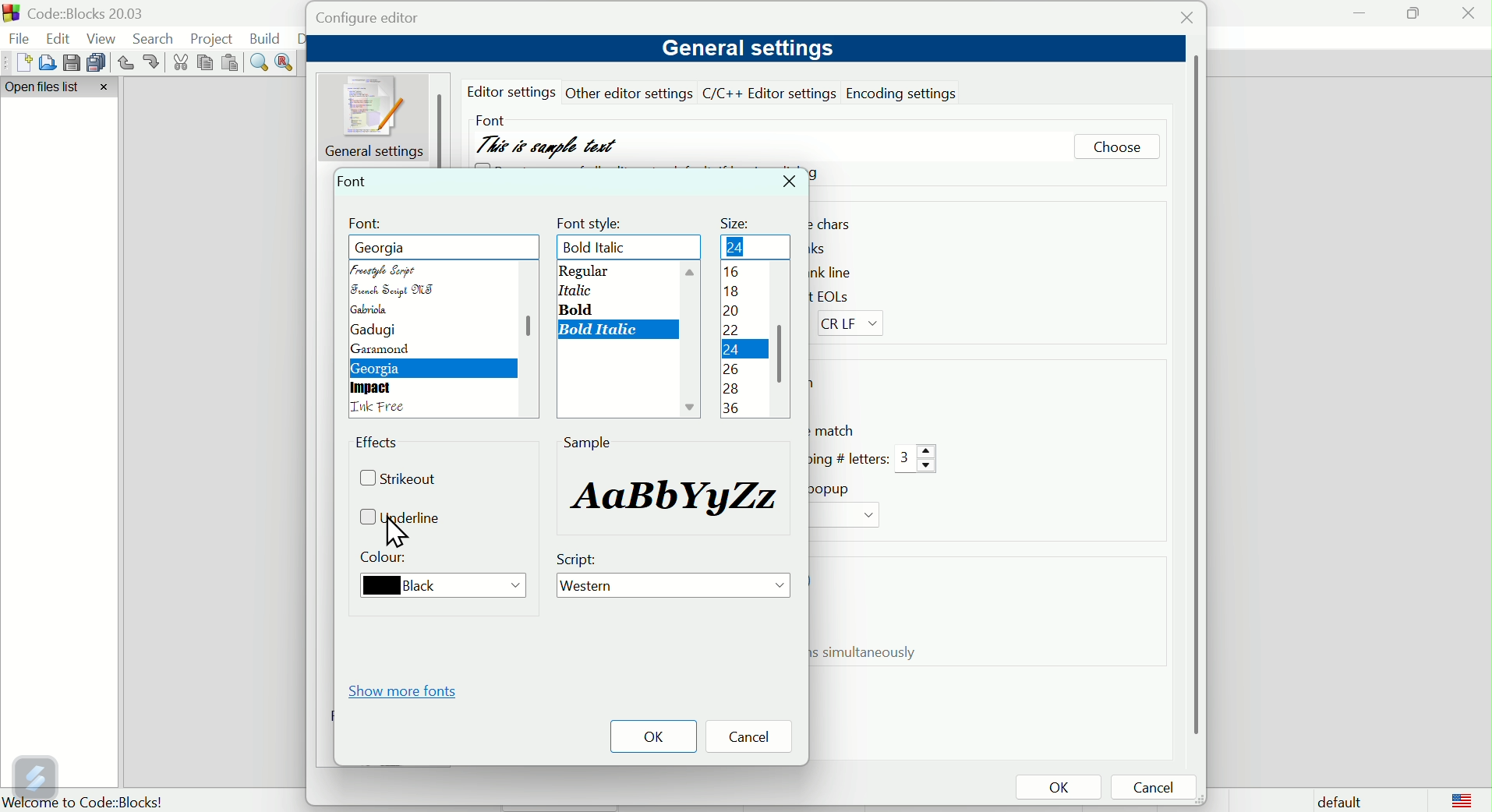 This screenshot has height=812, width=1492. Describe the element at coordinates (403, 247) in the screenshot. I see `Freestyle script` at that location.